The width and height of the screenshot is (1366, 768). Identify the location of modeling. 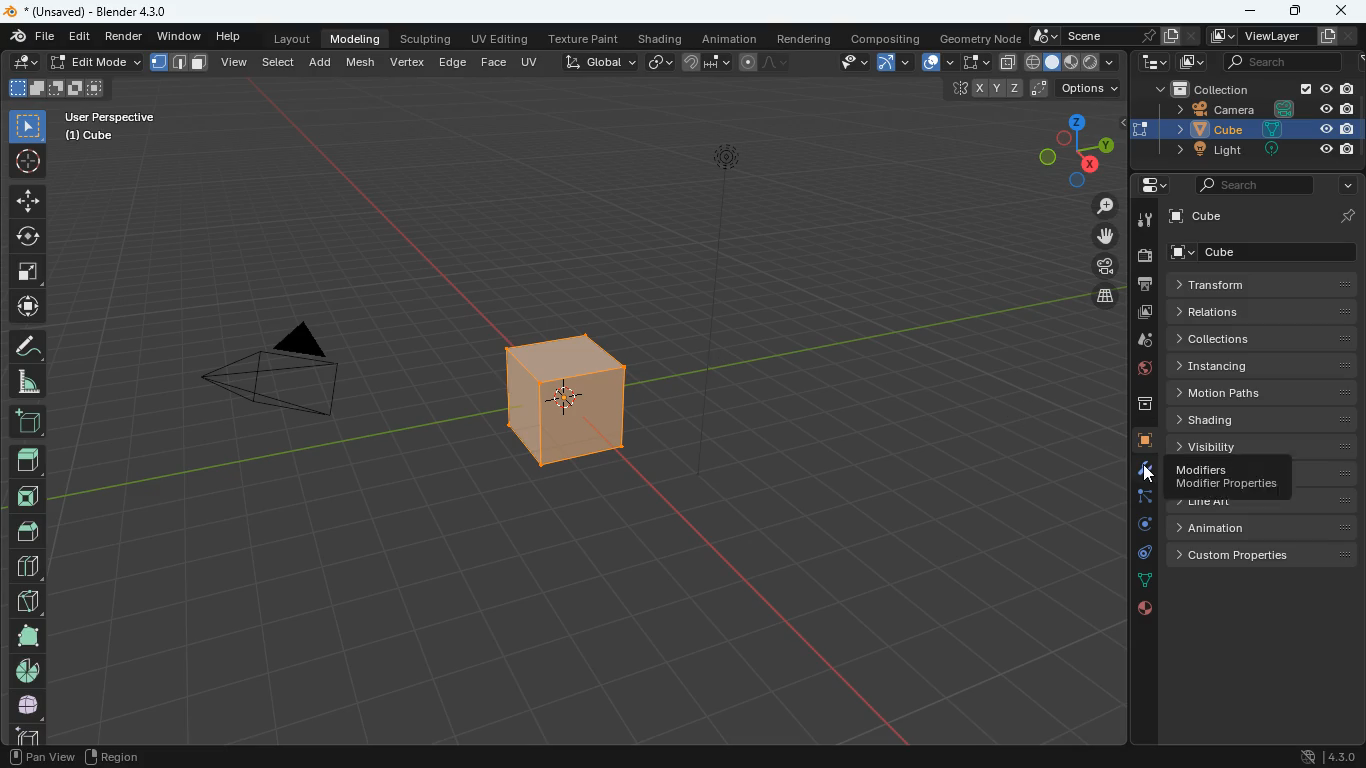
(361, 38).